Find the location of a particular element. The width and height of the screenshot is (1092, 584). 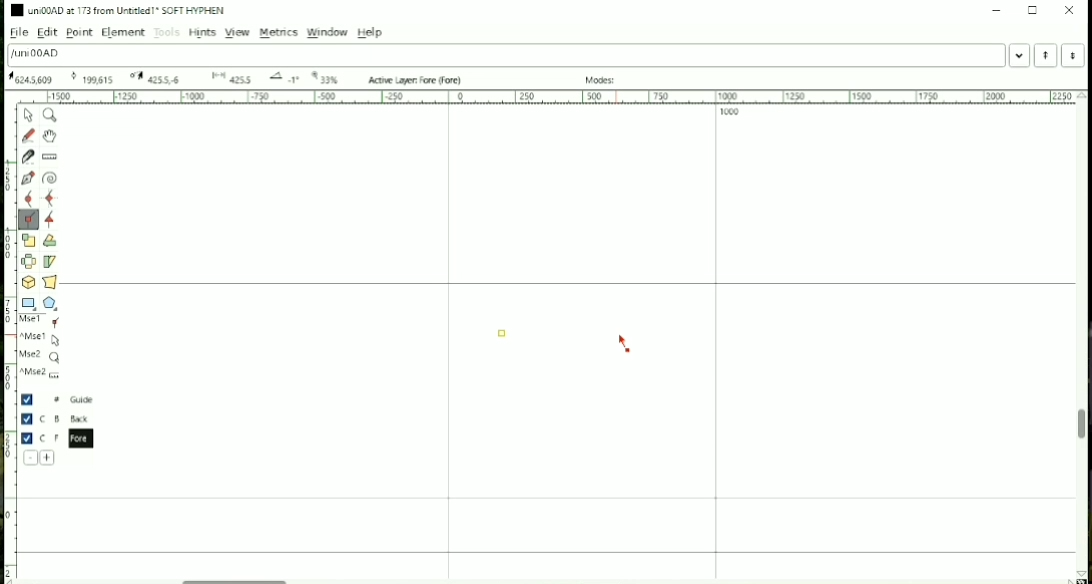

173 Oxad U+00AD "uni00AD" SOFT HYPHEN is located at coordinates (324, 77).